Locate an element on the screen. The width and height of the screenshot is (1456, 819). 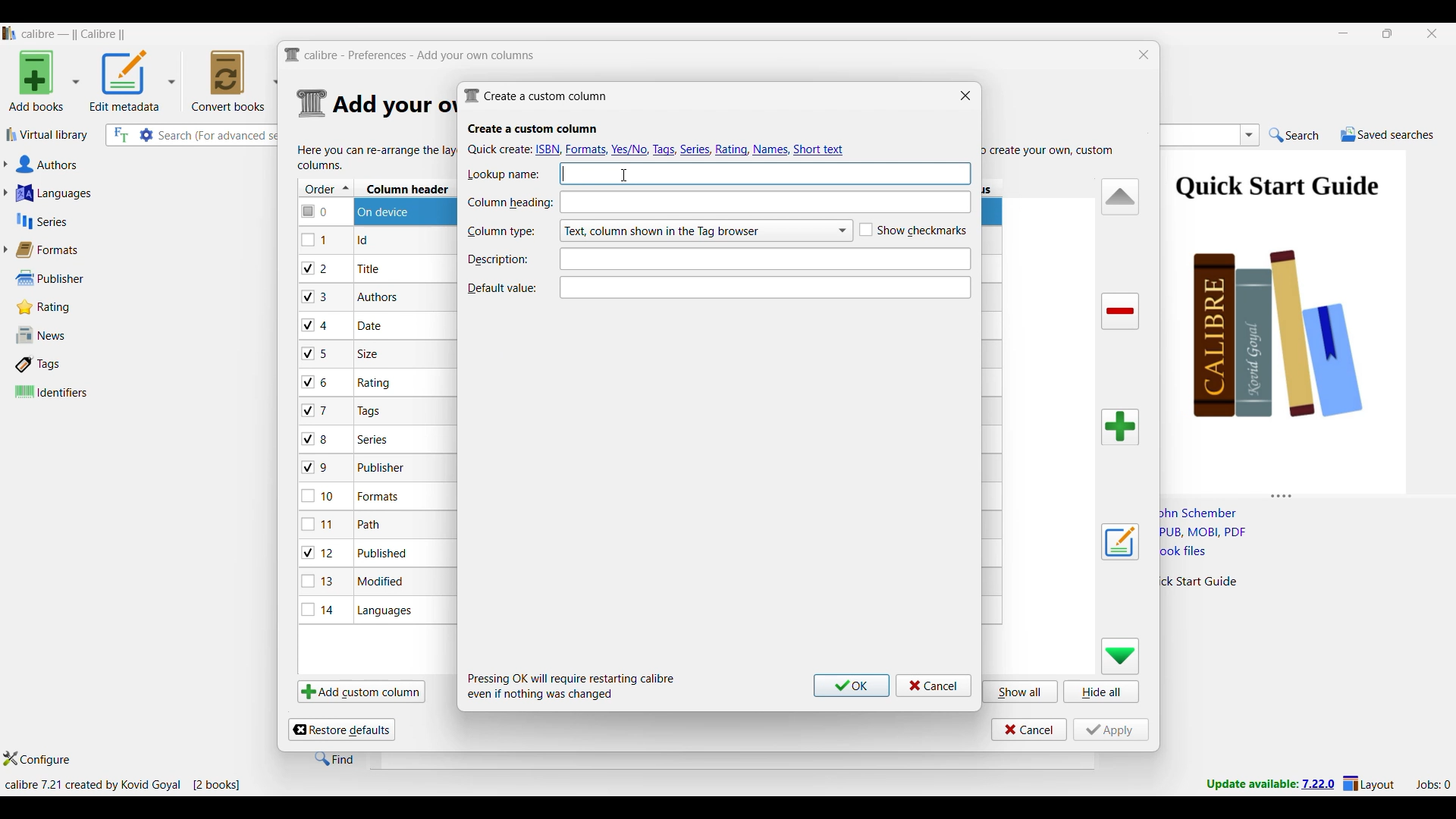
Window name is located at coordinates (535, 96).